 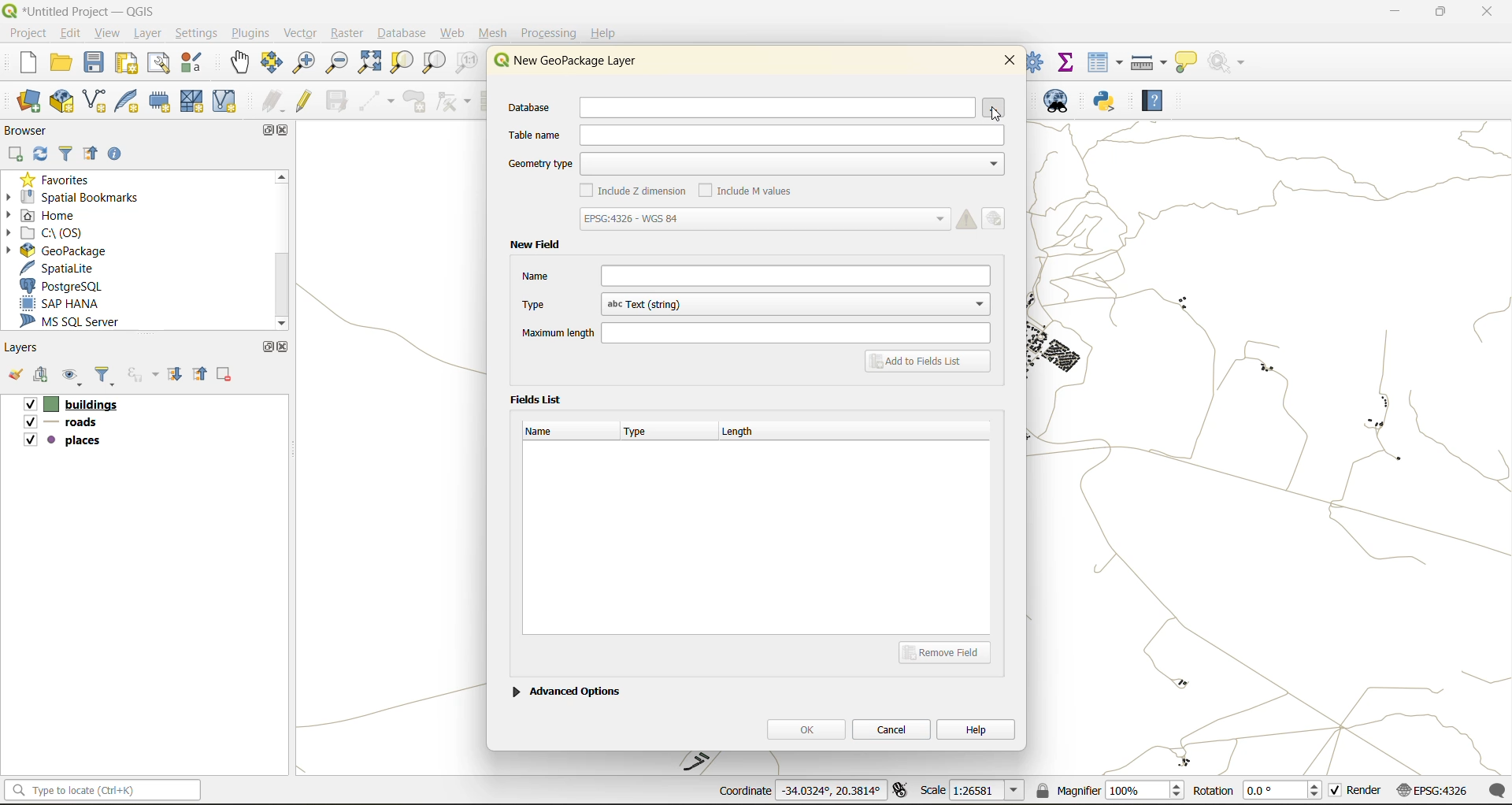 What do you see at coordinates (467, 65) in the screenshot?
I see `zoom native` at bounding box center [467, 65].